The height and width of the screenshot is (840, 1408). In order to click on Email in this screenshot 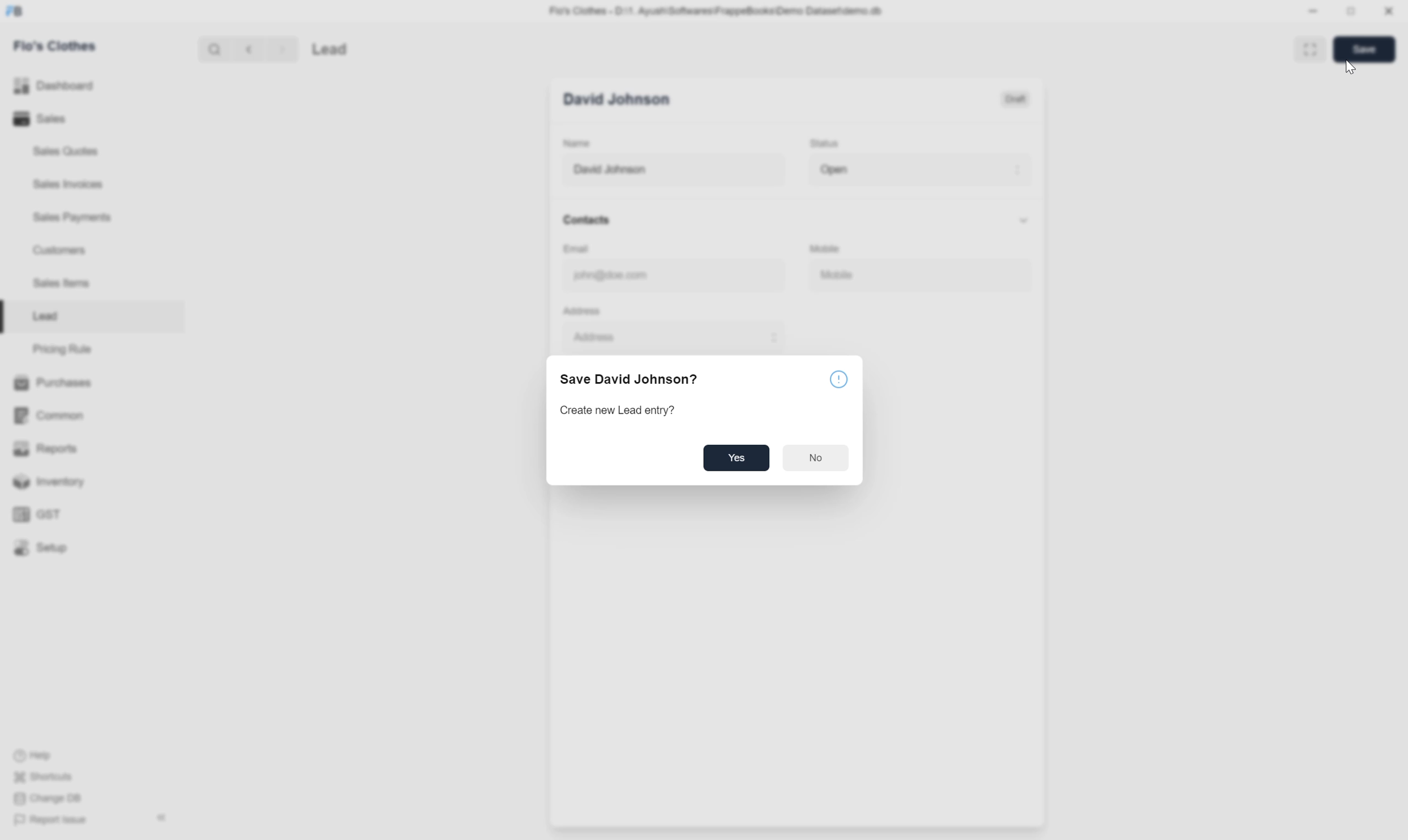, I will do `click(583, 249)`.